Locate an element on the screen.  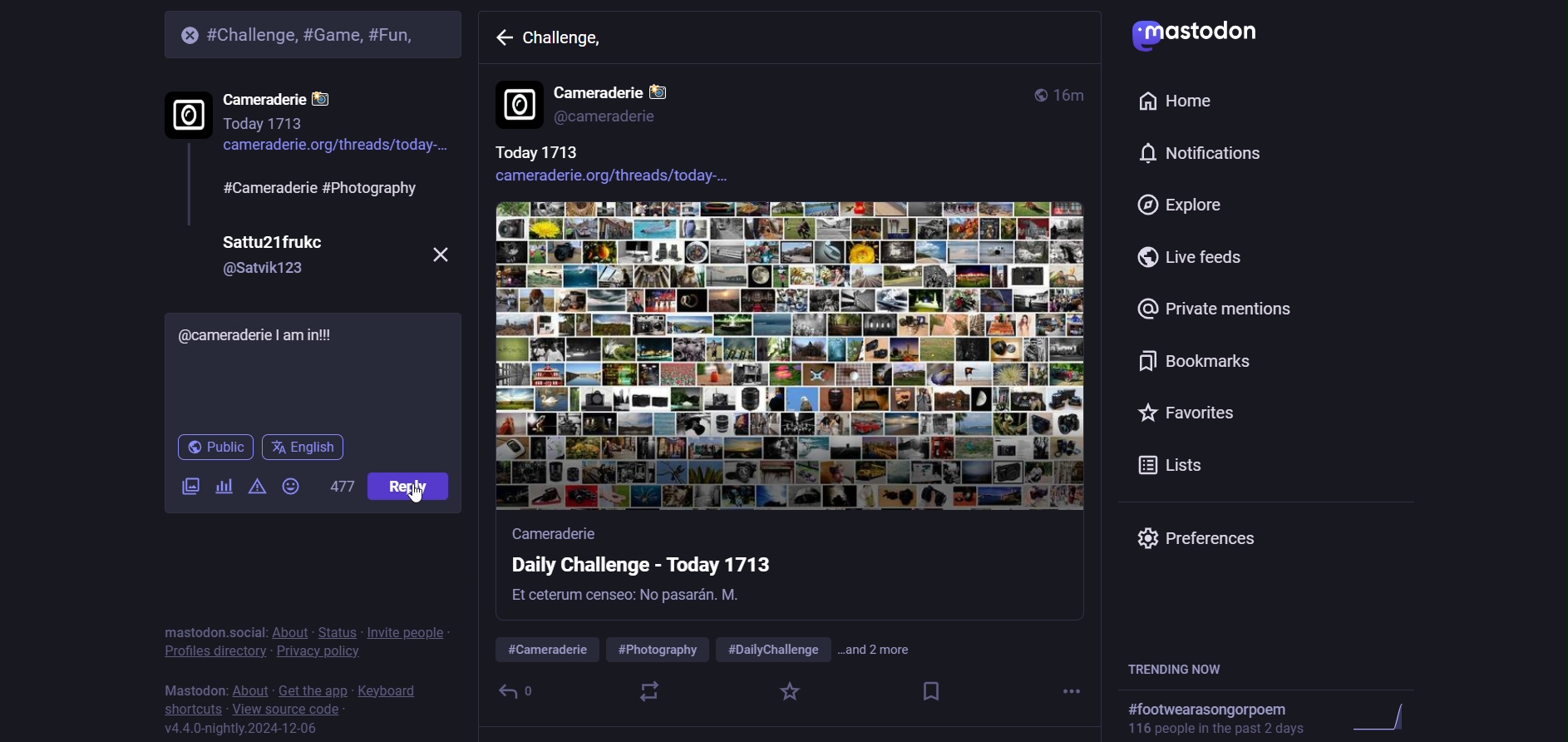
emoji is located at coordinates (294, 484).